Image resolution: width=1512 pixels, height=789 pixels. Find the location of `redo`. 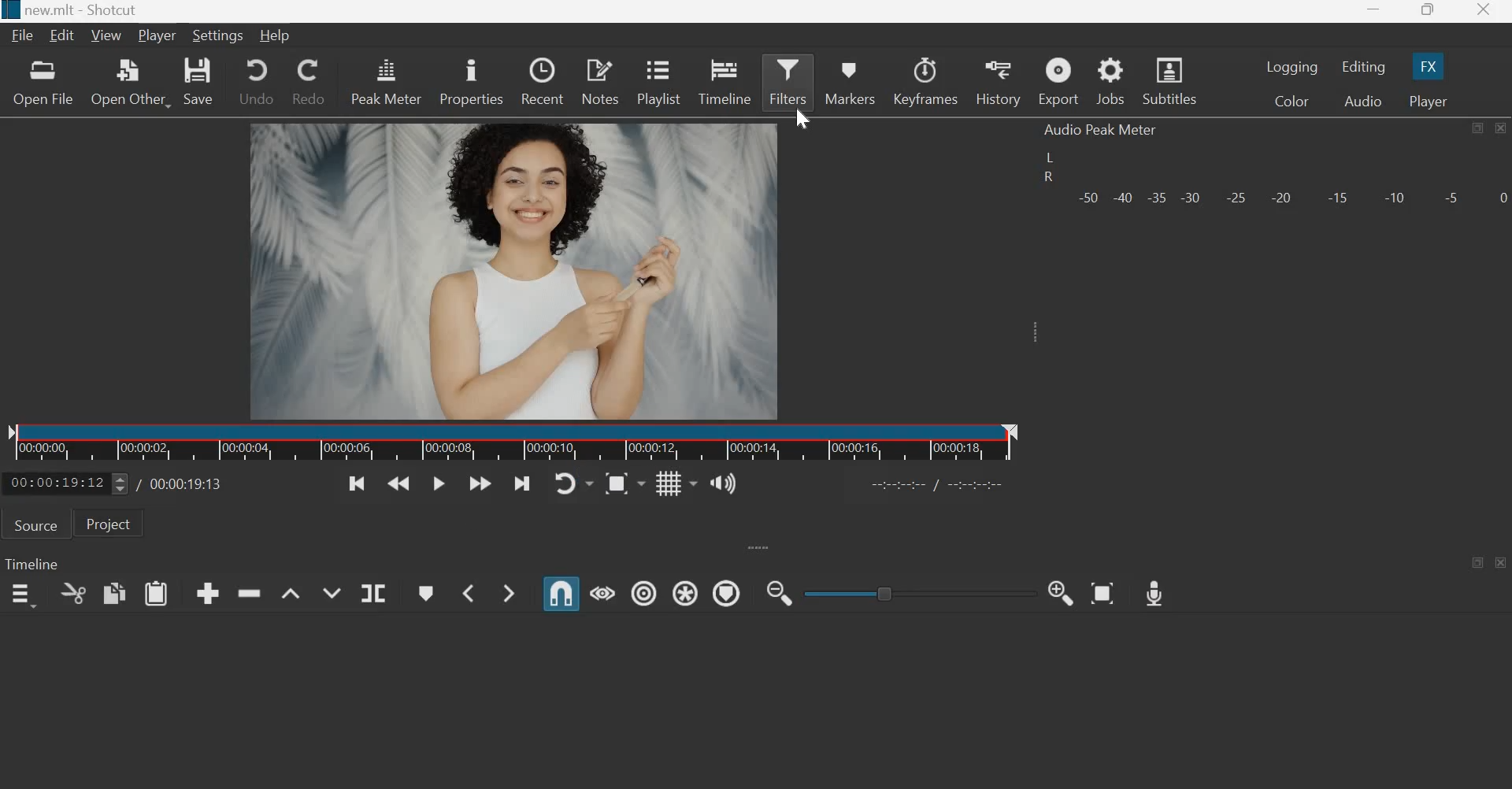

redo is located at coordinates (307, 80).